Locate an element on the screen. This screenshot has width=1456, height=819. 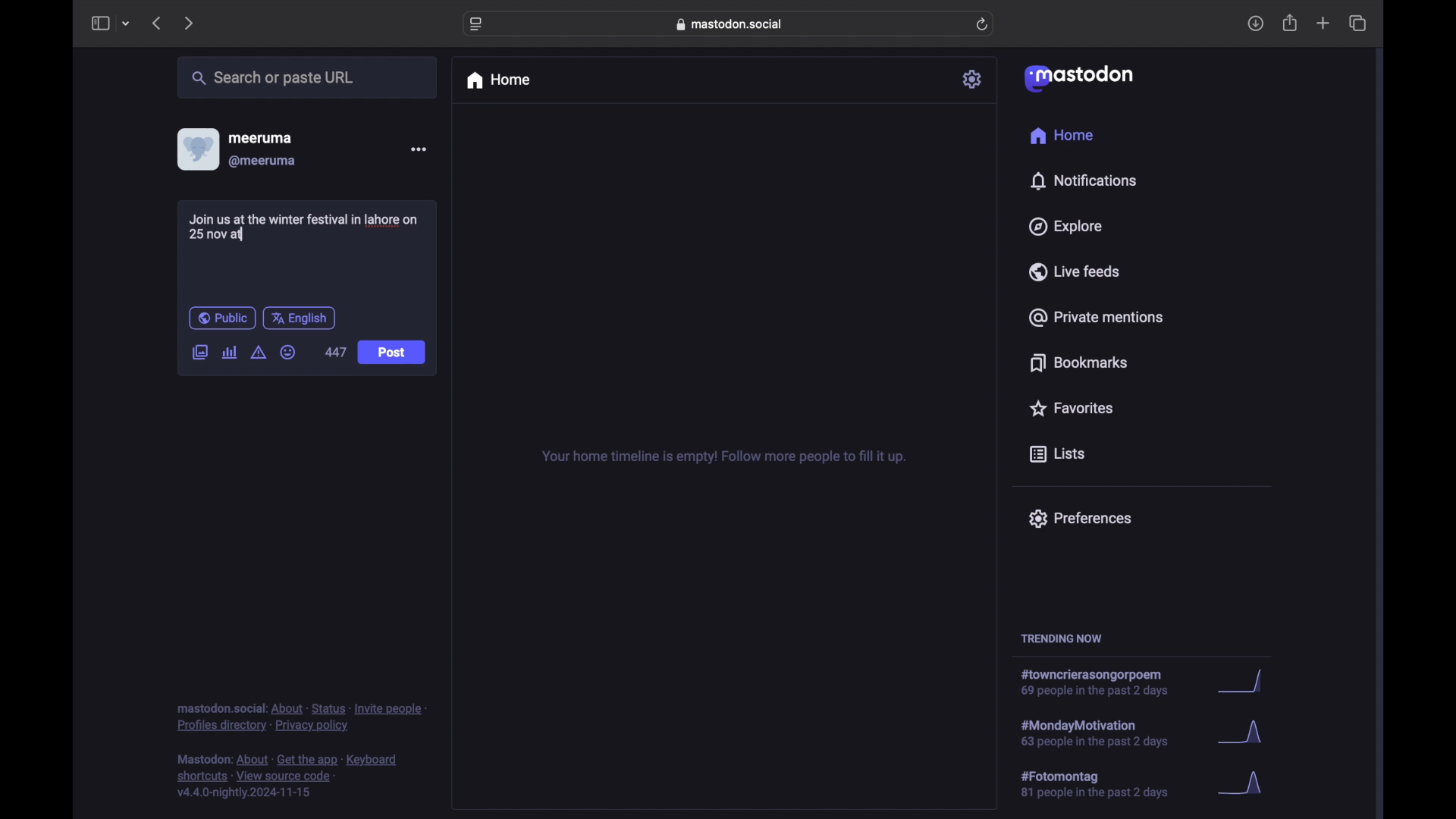
notifications is located at coordinates (1083, 180).